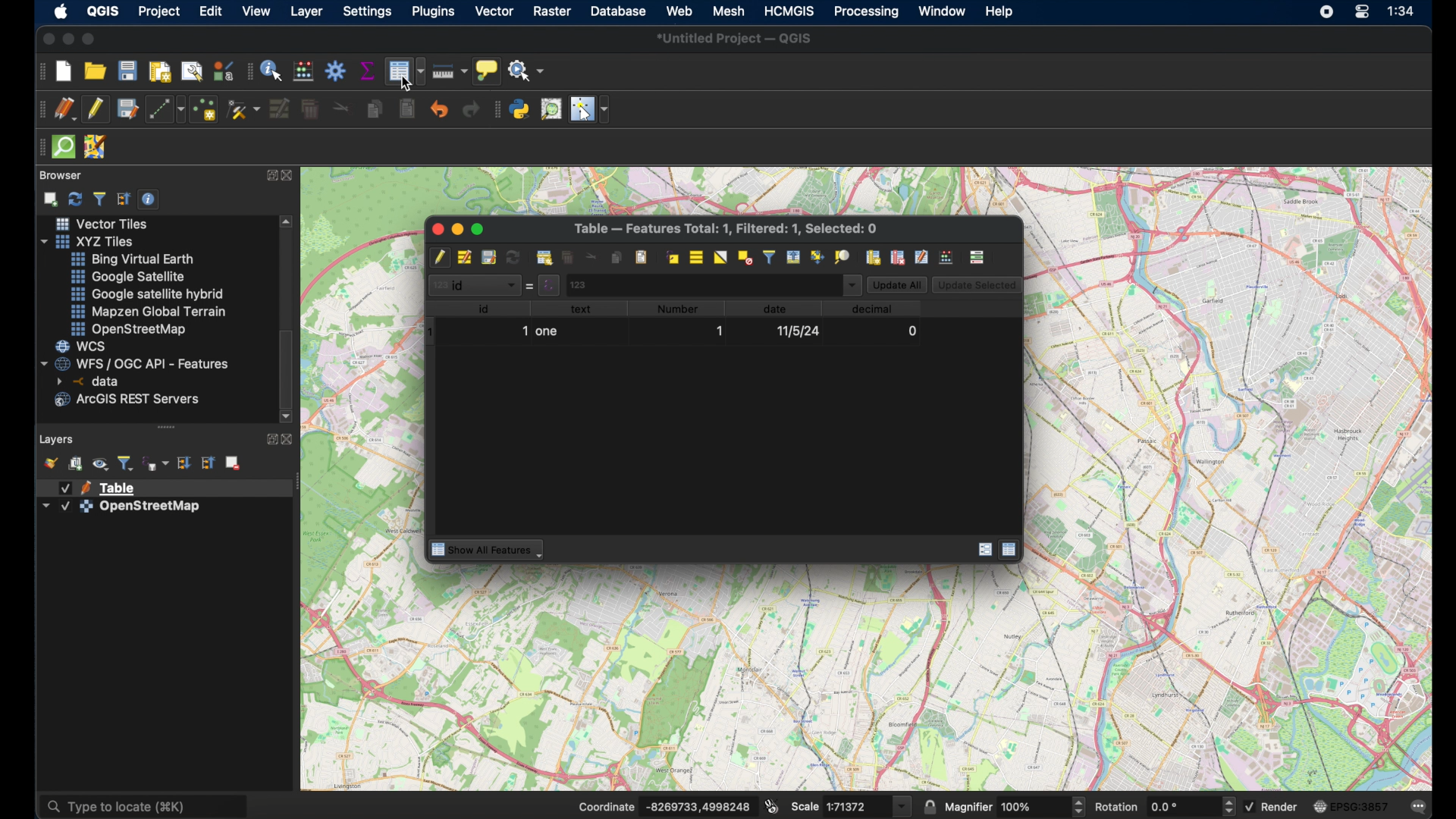 This screenshot has height=819, width=1456. I want to click on layers, so click(58, 441).